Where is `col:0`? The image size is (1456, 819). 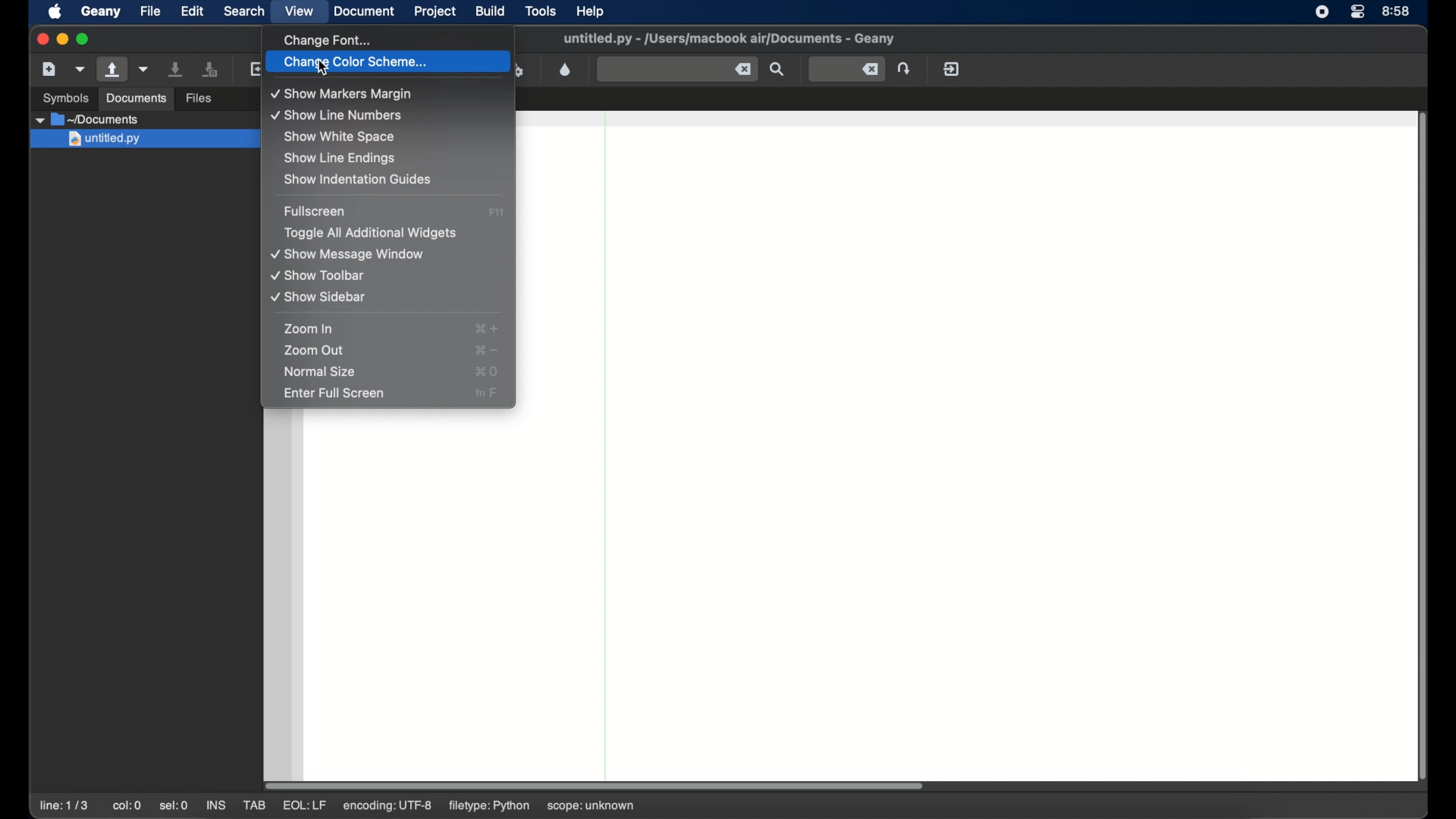
col:0 is located at coordinates (127, 806).